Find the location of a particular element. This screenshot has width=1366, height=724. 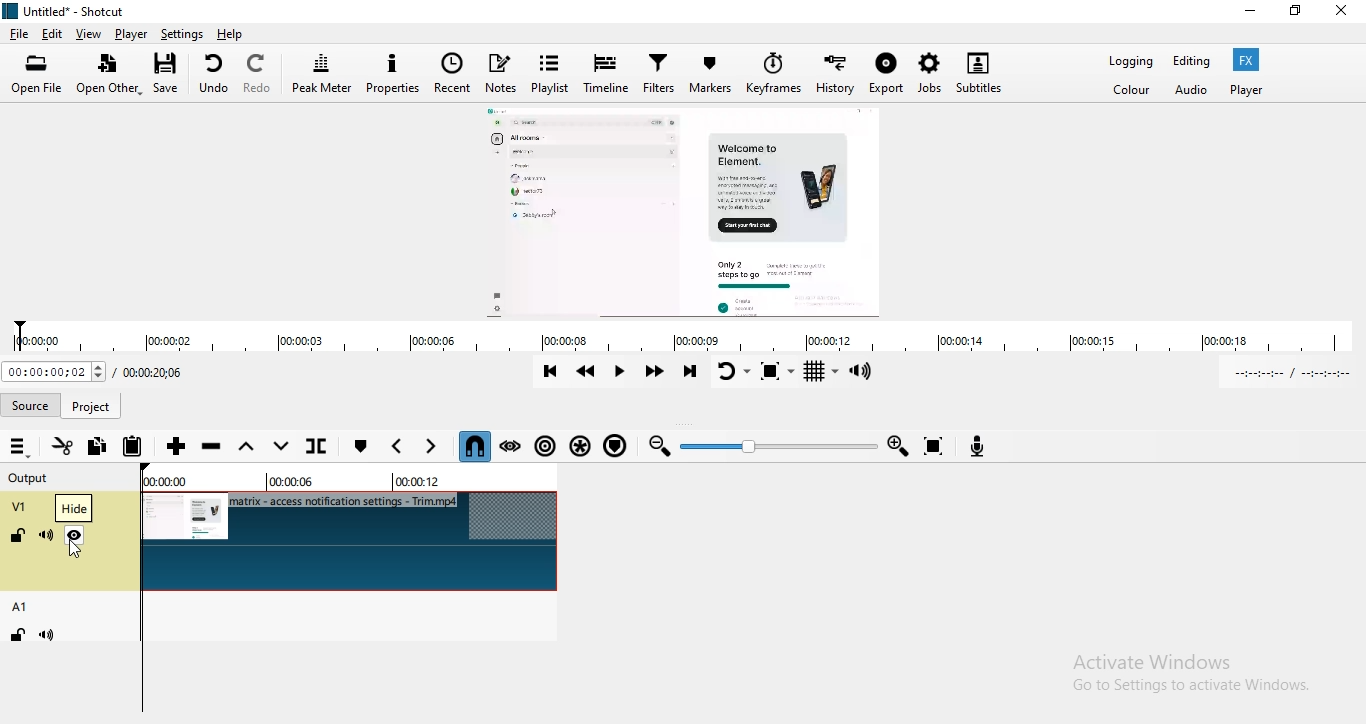

Record audio is located at coordinates (981, 446).